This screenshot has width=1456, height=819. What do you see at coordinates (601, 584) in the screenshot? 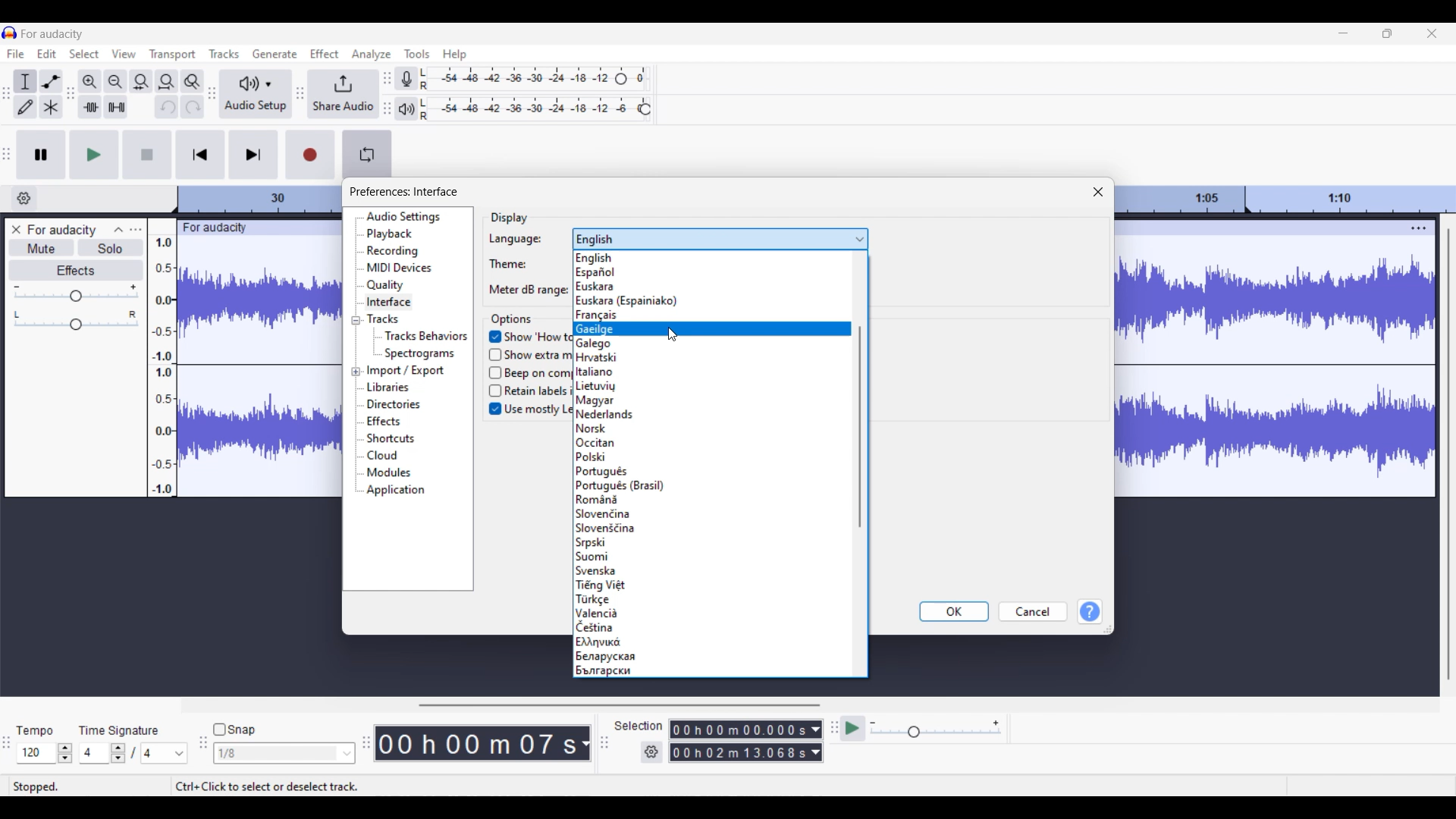
I see `1 Tiéna Viét` at bounding box center [601, 584].